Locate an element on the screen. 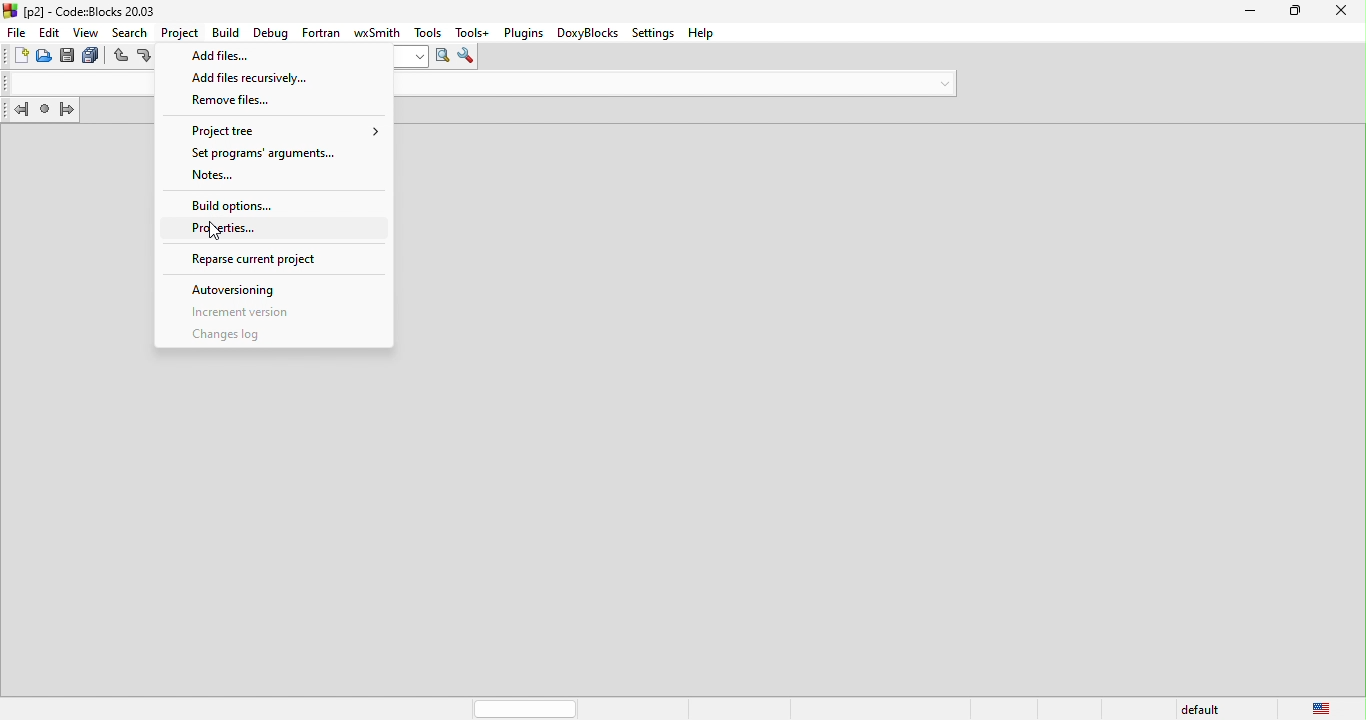  jump forward  is located at coordinates (70, 112).